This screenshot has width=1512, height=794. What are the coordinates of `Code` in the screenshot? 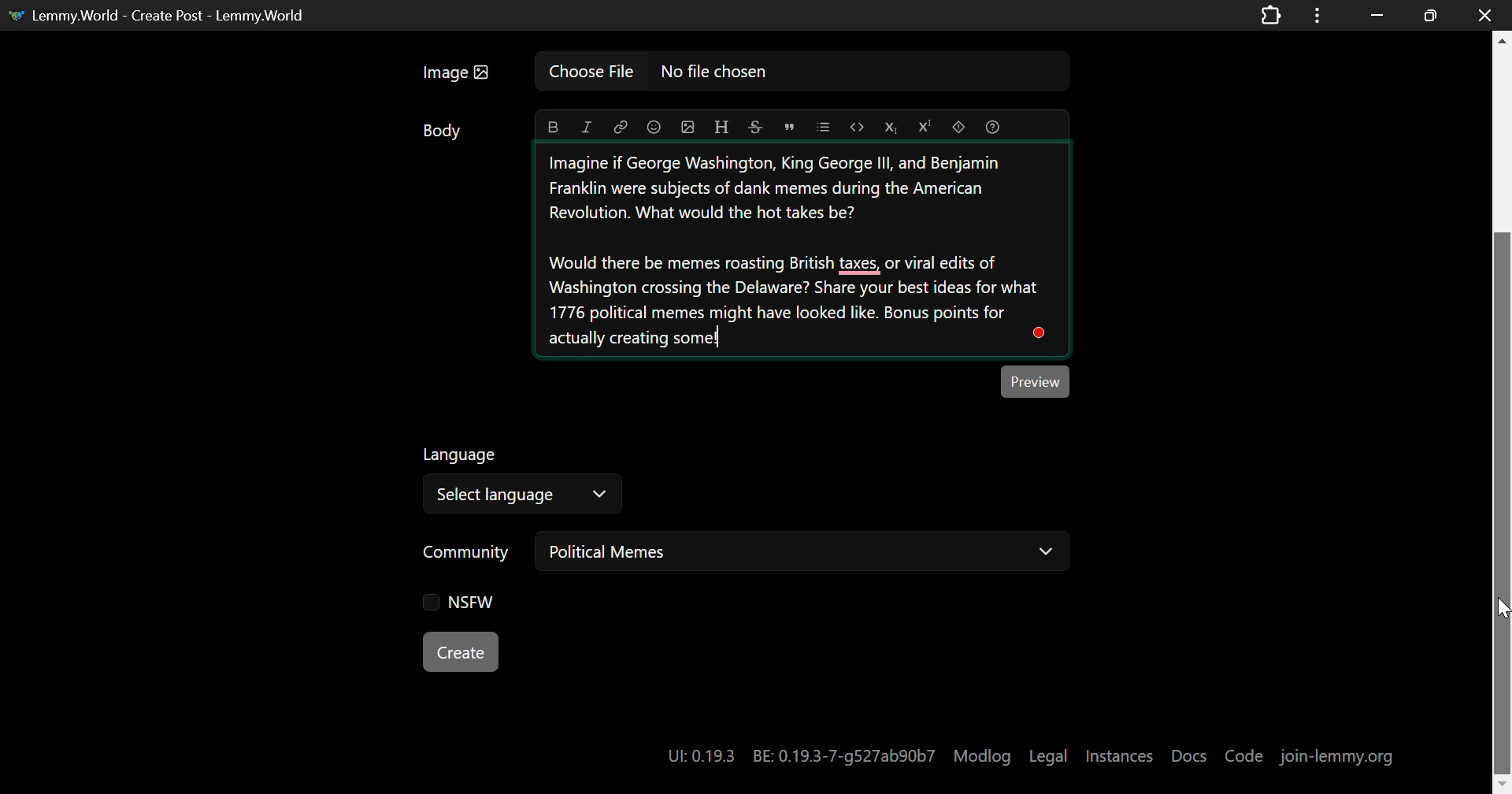 It's located at (1243, 757).